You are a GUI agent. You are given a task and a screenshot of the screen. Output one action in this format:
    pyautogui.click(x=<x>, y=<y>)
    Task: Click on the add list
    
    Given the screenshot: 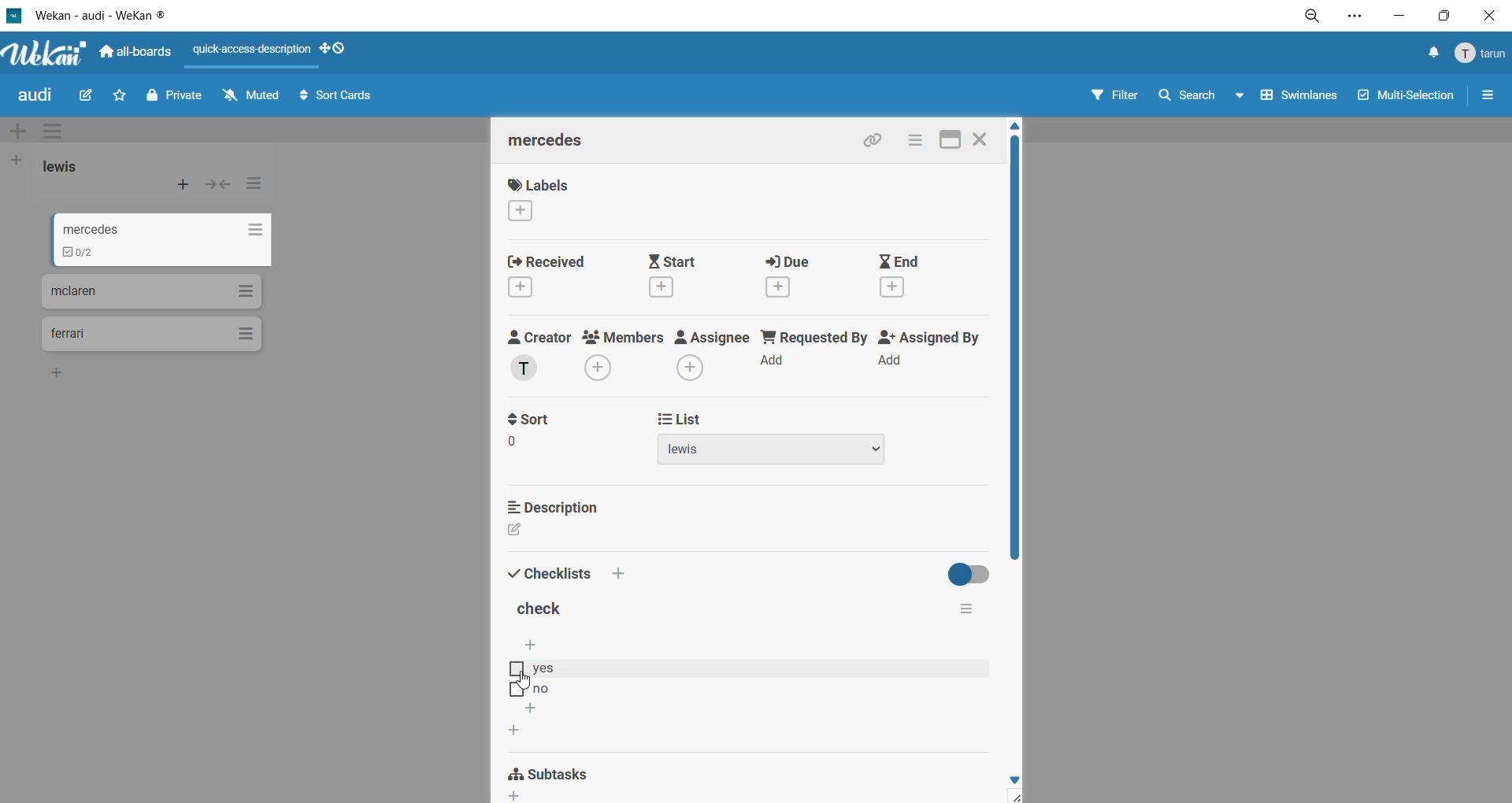 What is the action you would take?
    pyautogui.click(x=19, y=161)
    